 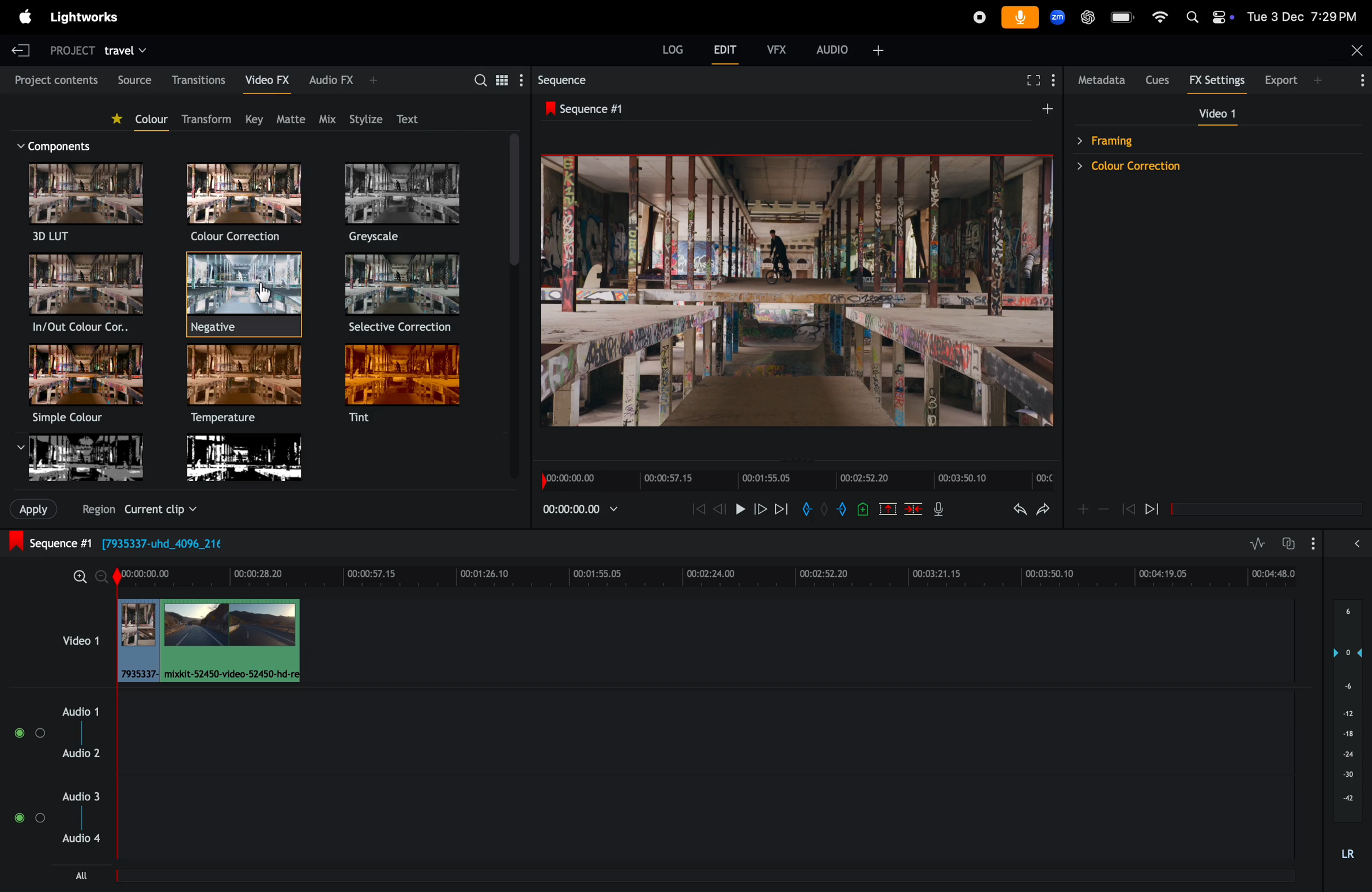 I want to click on toggle auto track sync, so click(x=1299, y=539).